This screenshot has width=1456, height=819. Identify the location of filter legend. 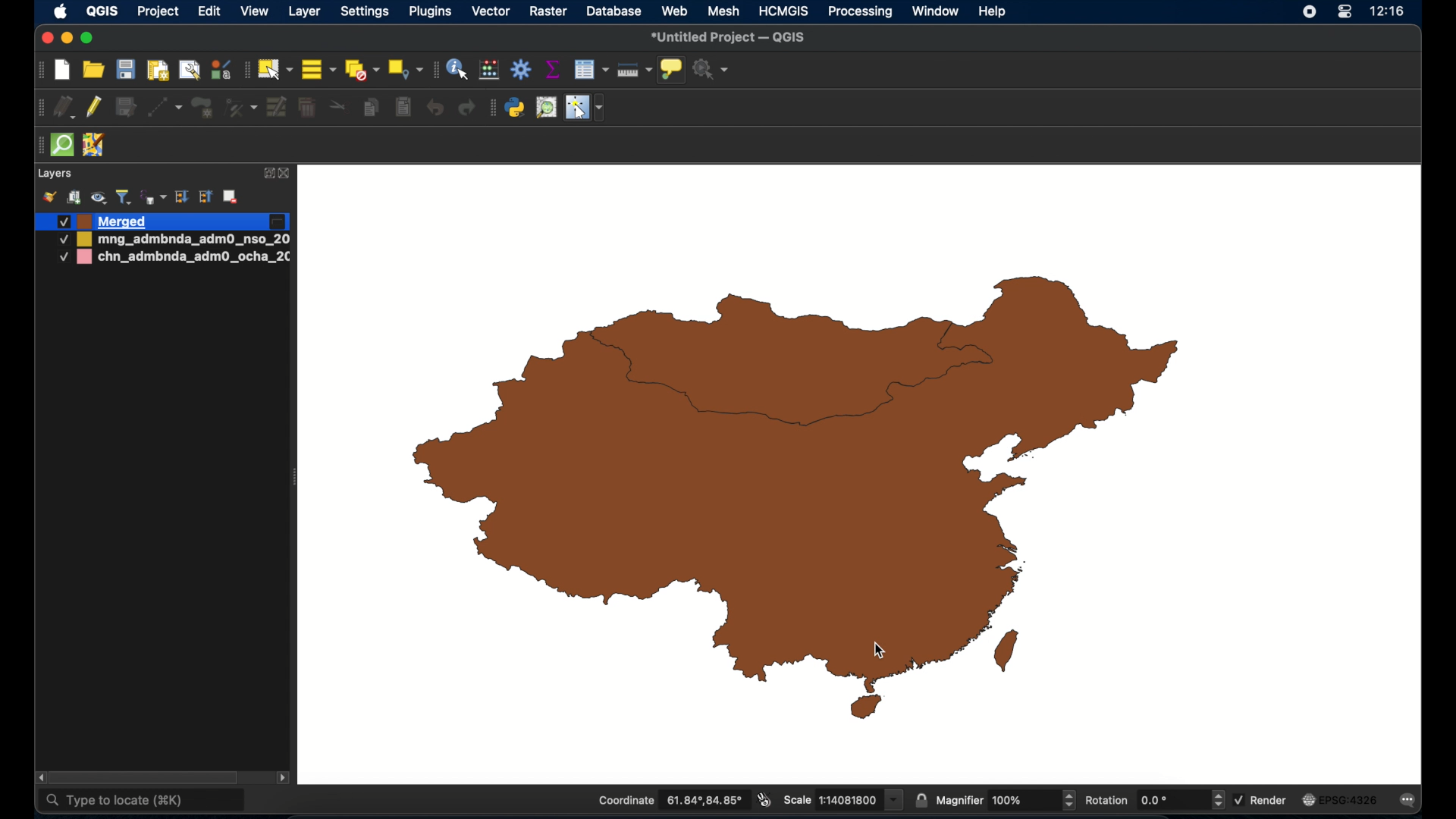
(124, 197).